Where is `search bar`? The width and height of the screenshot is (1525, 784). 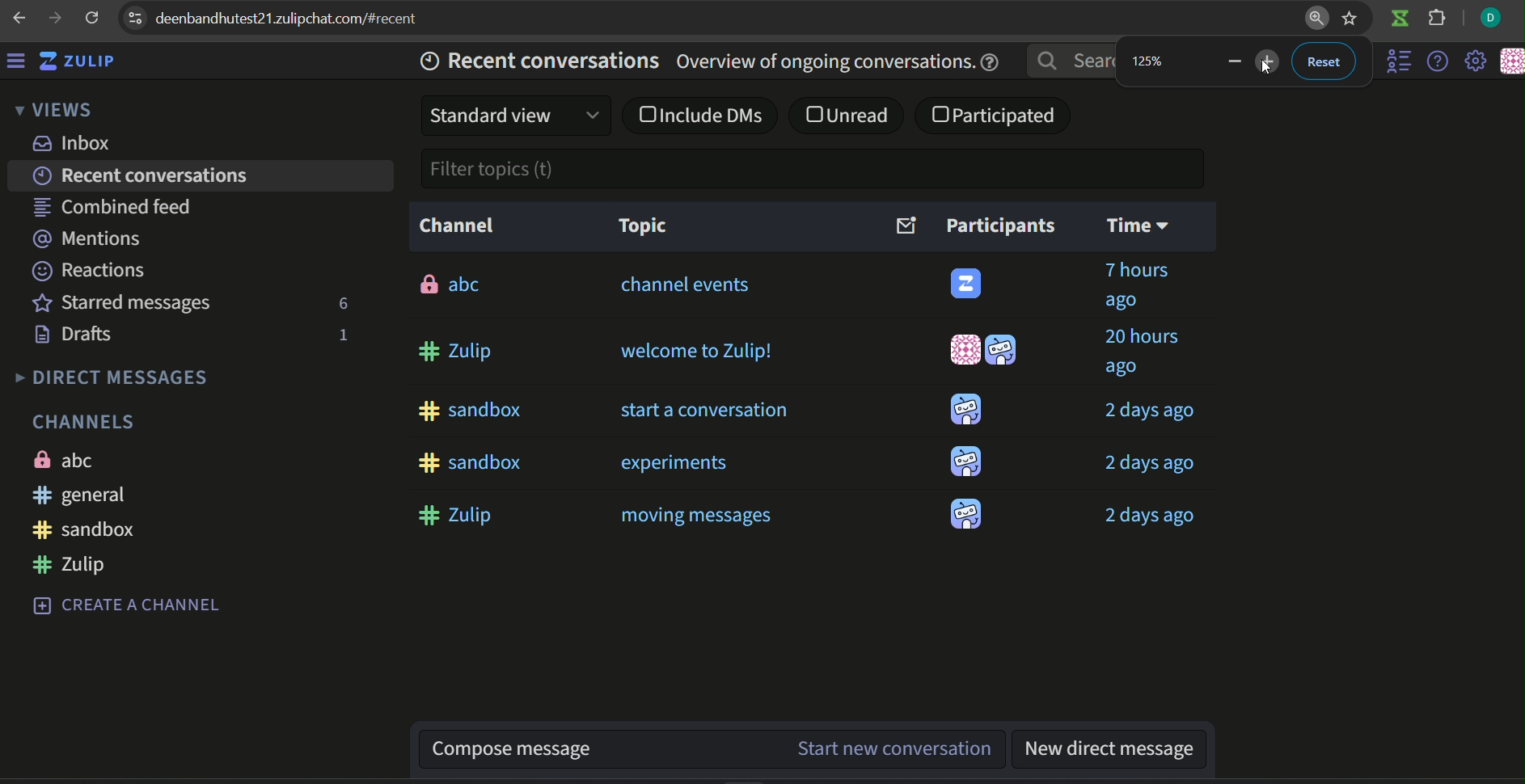
search bar is located at coordinates (1071, 61).